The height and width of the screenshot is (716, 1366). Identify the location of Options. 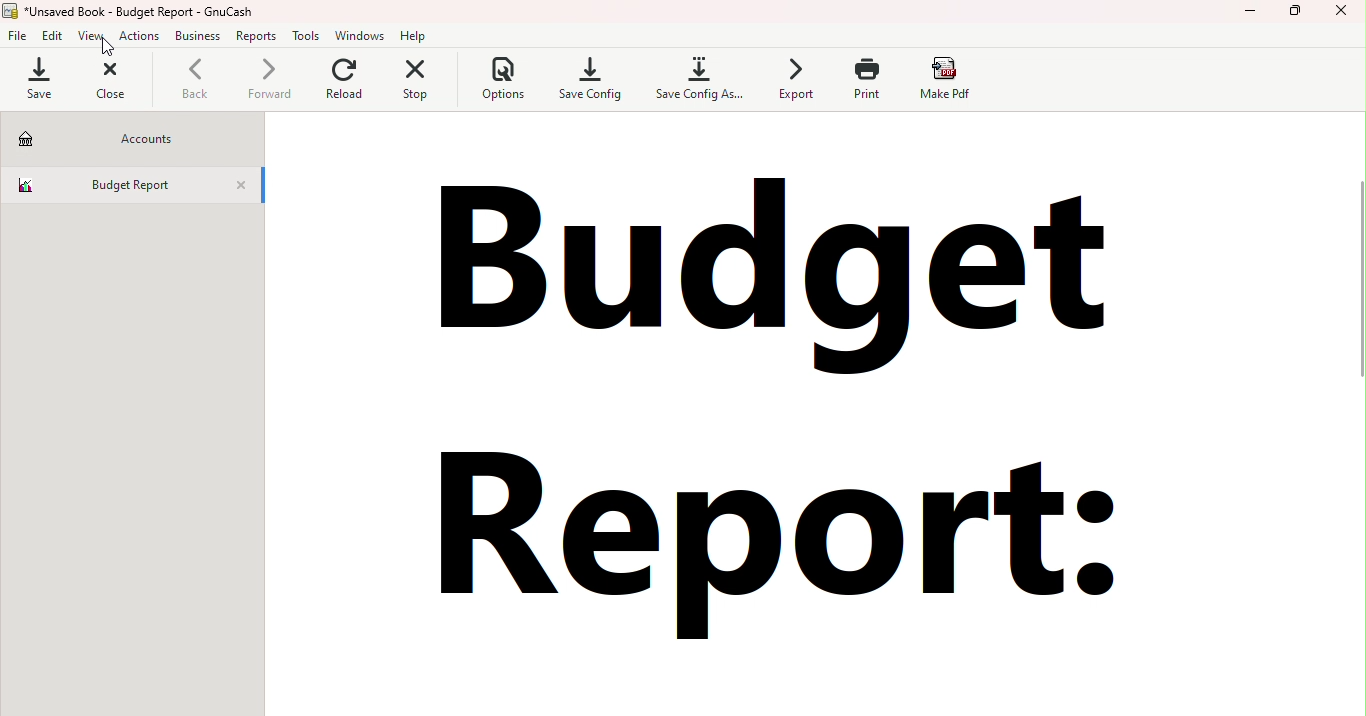
(505, 81).